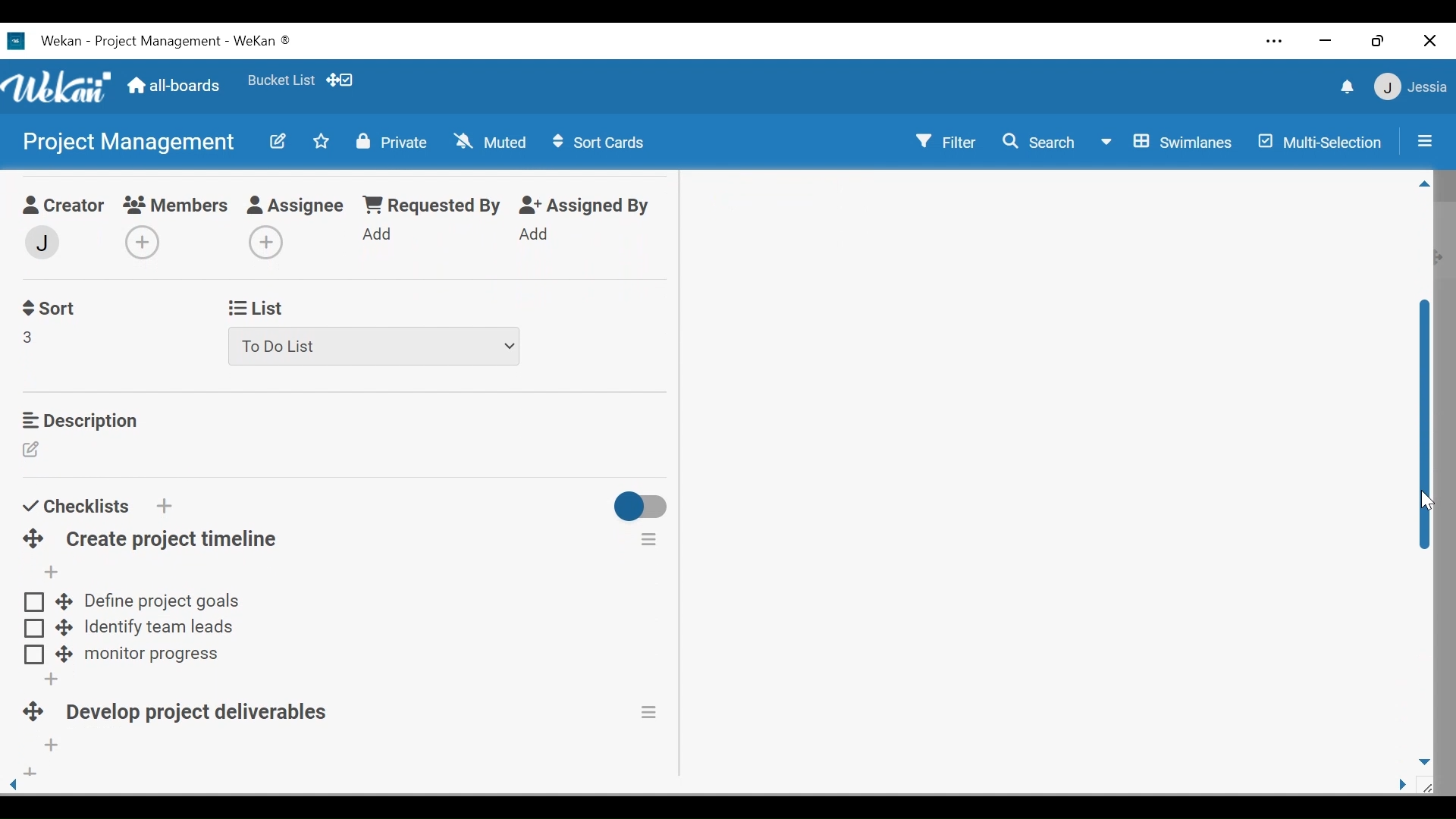 This screenshot has width=1456, height=819. What do you see at coordinates (391, 143) in the screenshot?
I see `Private` at bounding box center [391, 143].